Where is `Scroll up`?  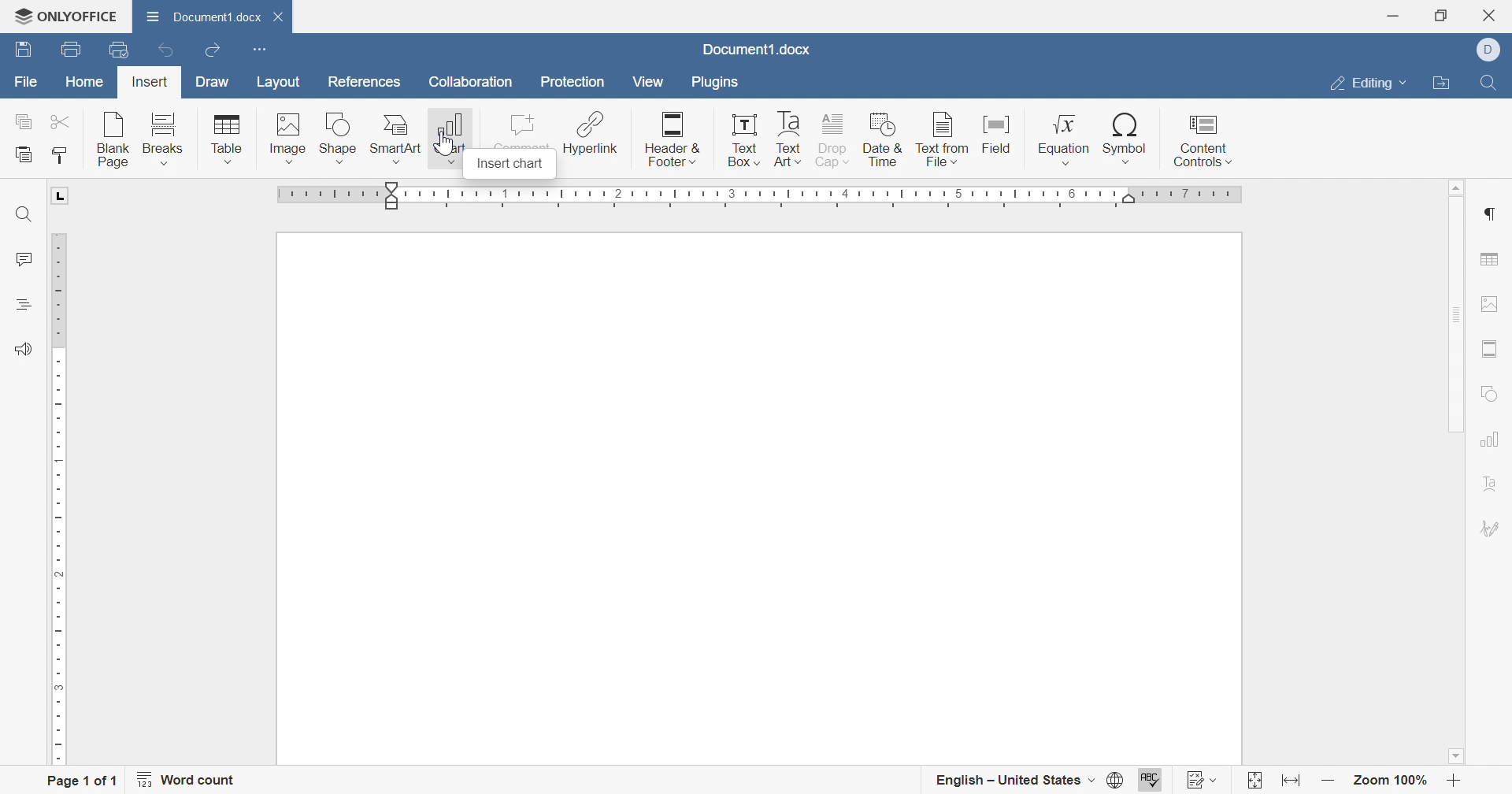
Scroll up is located at coordinates (1458, 187).